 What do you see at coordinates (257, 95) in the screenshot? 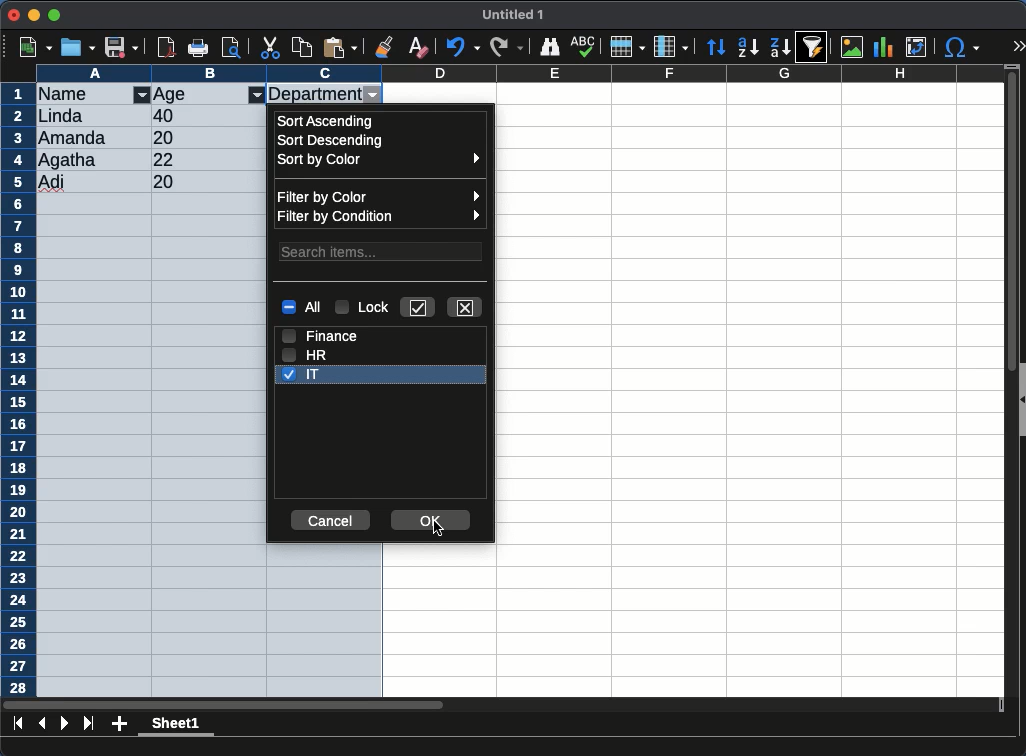
I see `filter` at bounding box center [257, 95].